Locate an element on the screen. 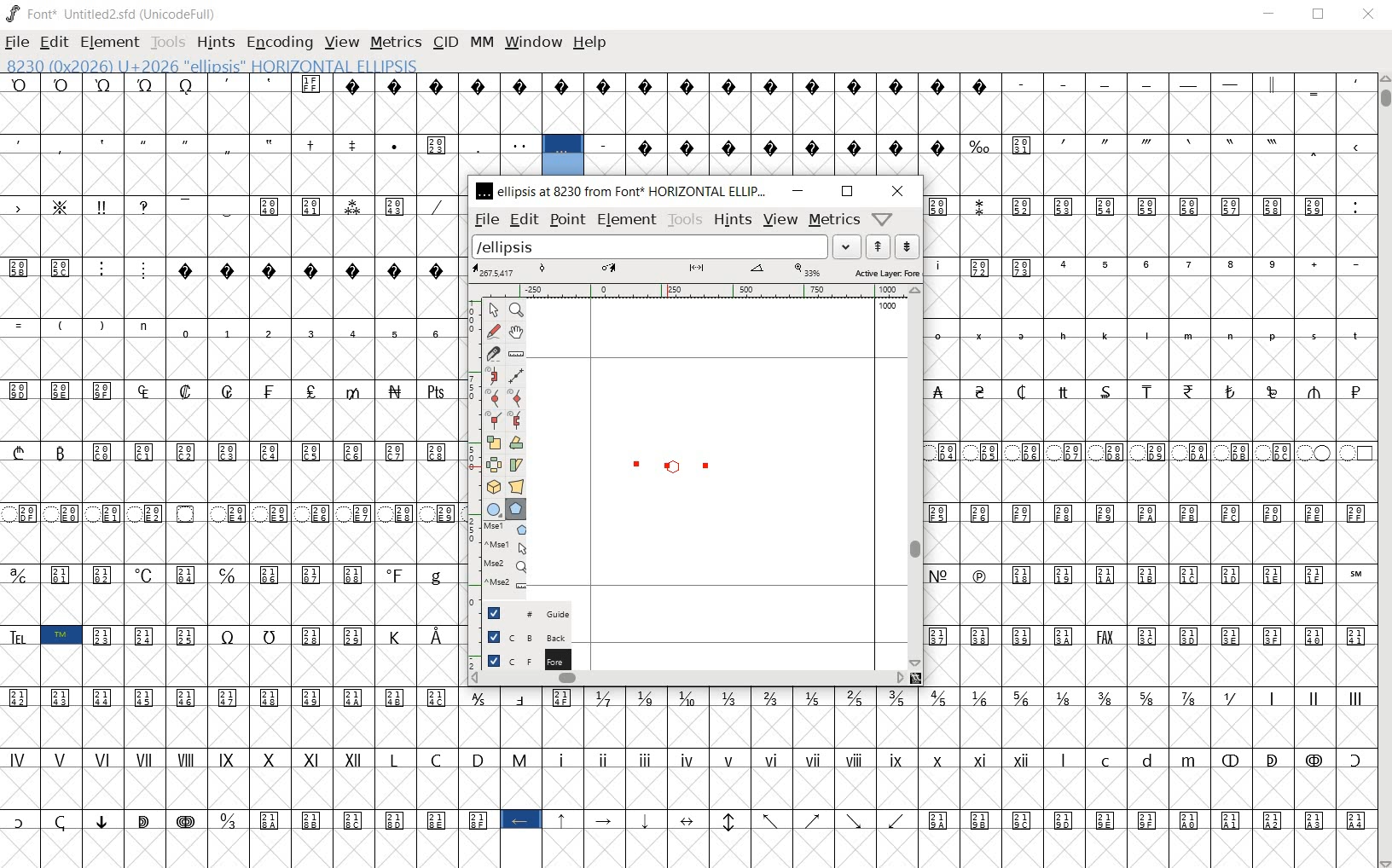 The height and width of the screenshot is (868, 1392). background is located at coordinates (521, 635).